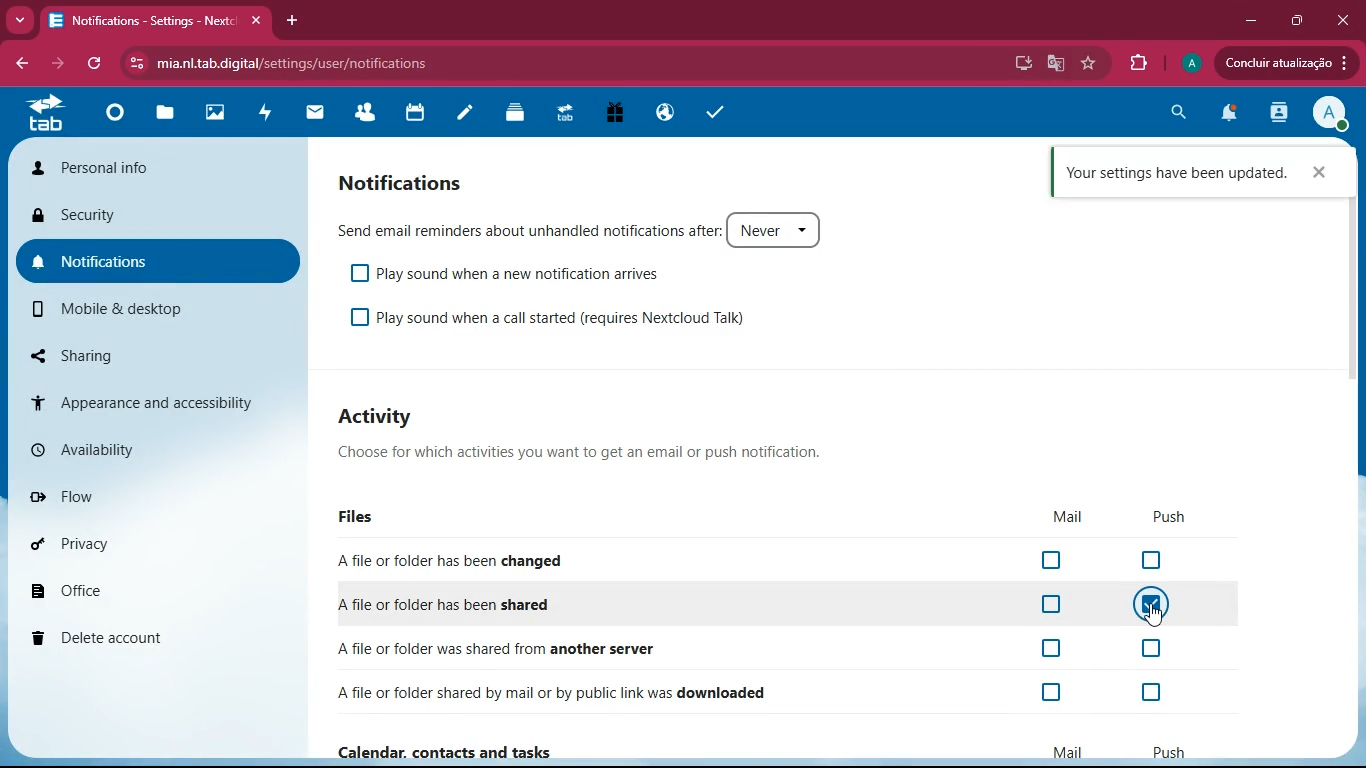  I want to click on calender, contacts and tasks, so click(447, 751).